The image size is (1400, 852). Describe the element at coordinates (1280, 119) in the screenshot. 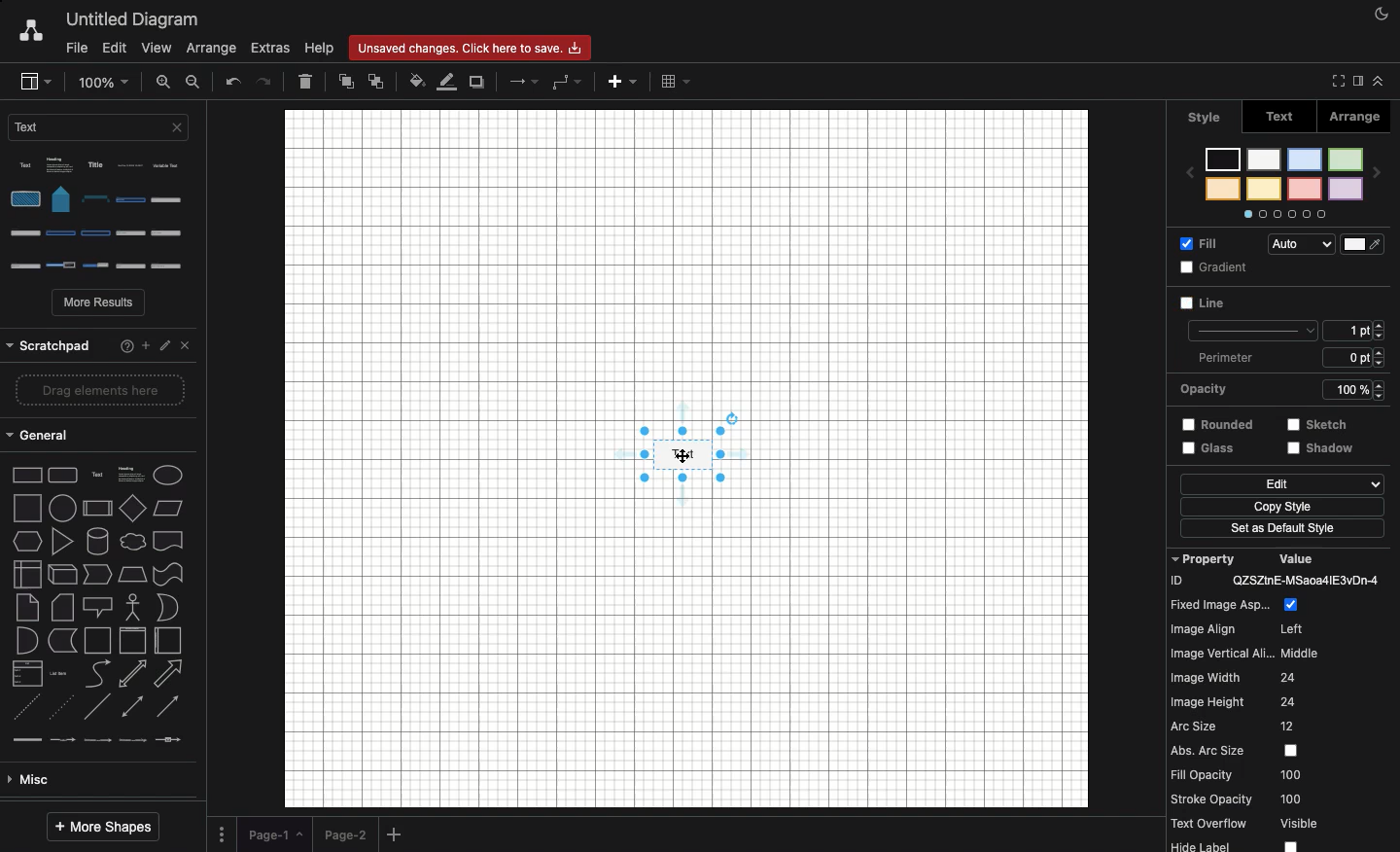

I see `Text` at that location.